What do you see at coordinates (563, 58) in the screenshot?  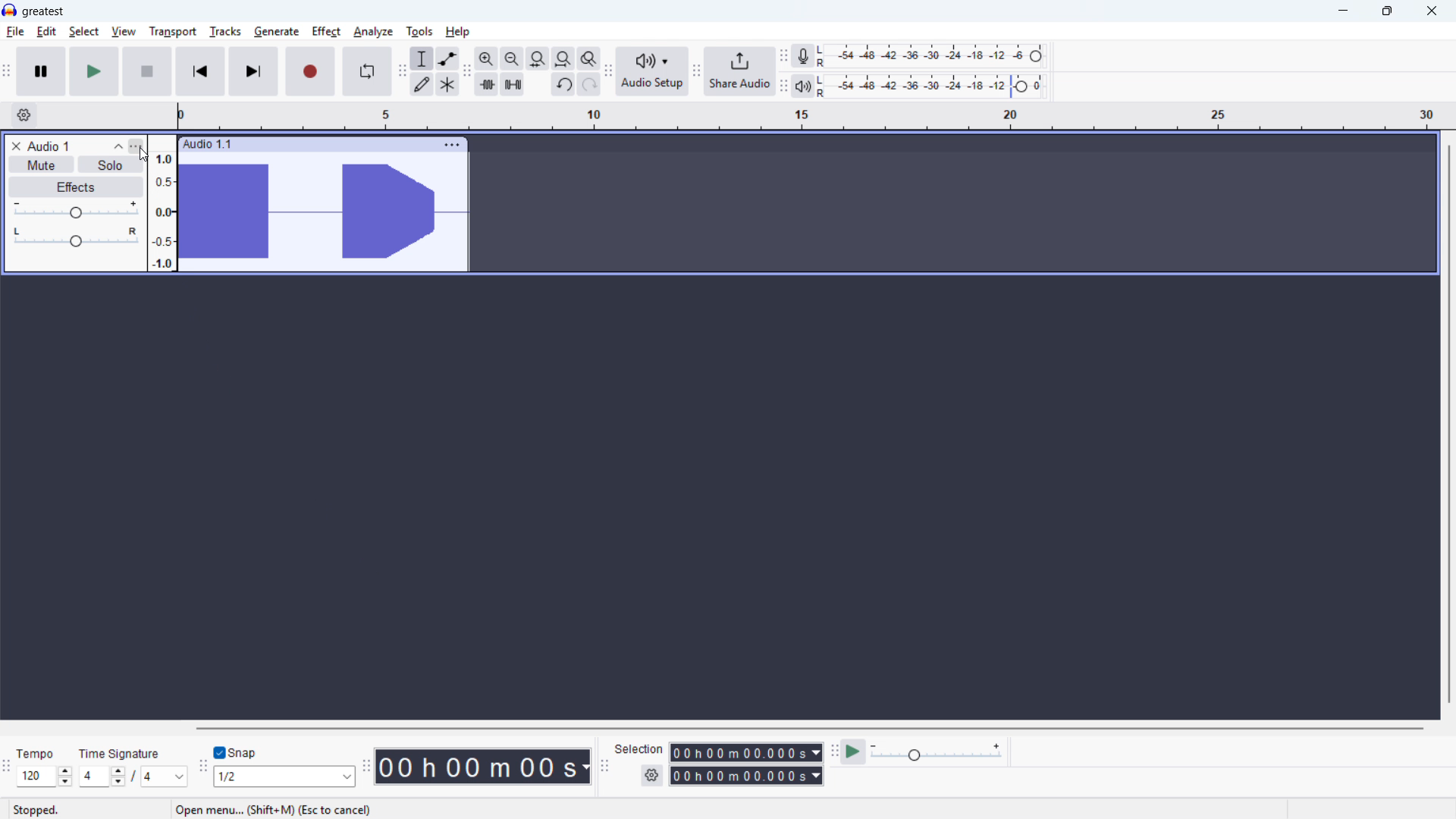 I see `fit selection to width` at bounding box center [563, 58].